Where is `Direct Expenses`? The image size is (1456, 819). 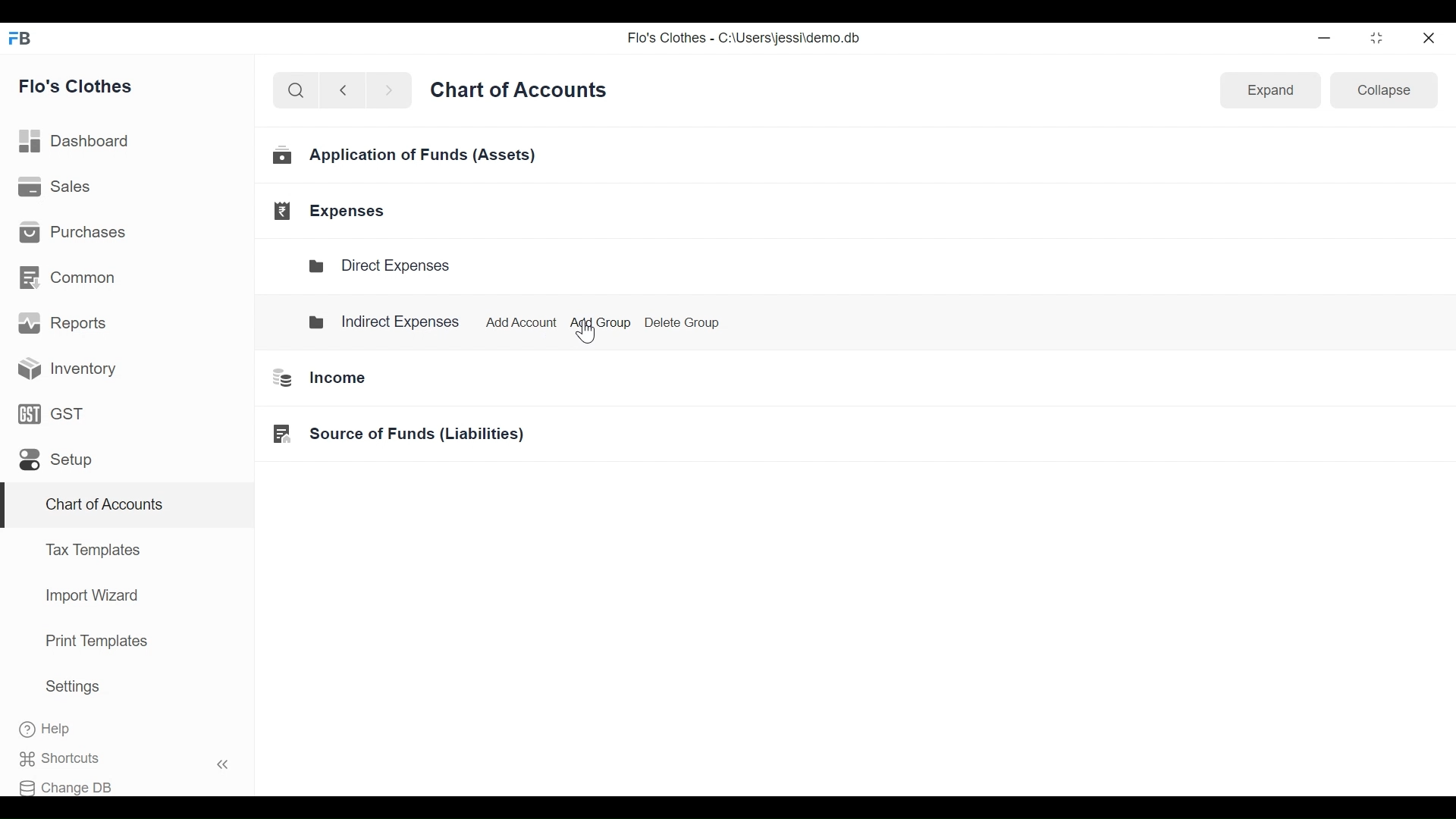
Direct Expenses is located at coordinates (387, 266).